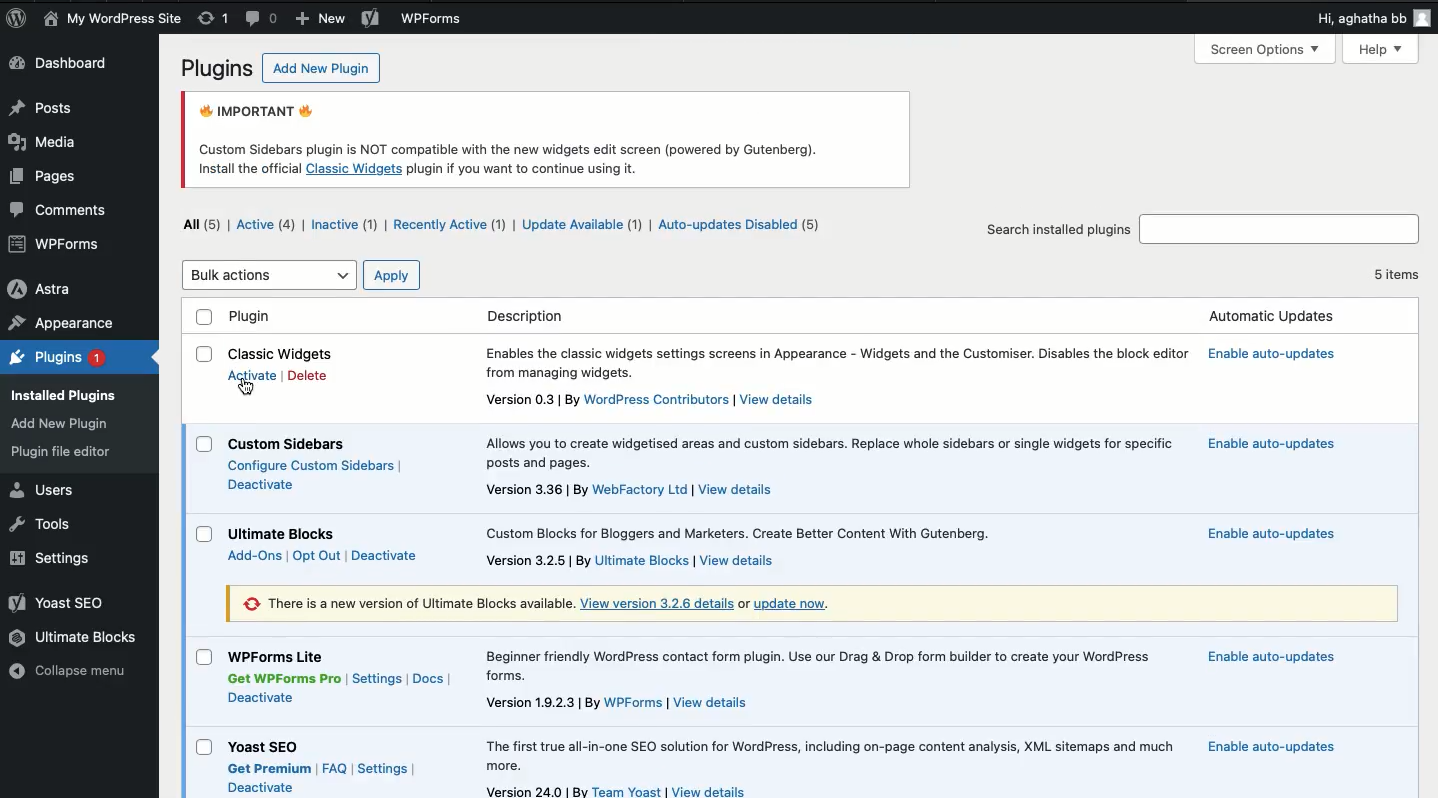  Describe the element at coordinates (261, 483) in the screenshot. I see `Deactive` at that location.